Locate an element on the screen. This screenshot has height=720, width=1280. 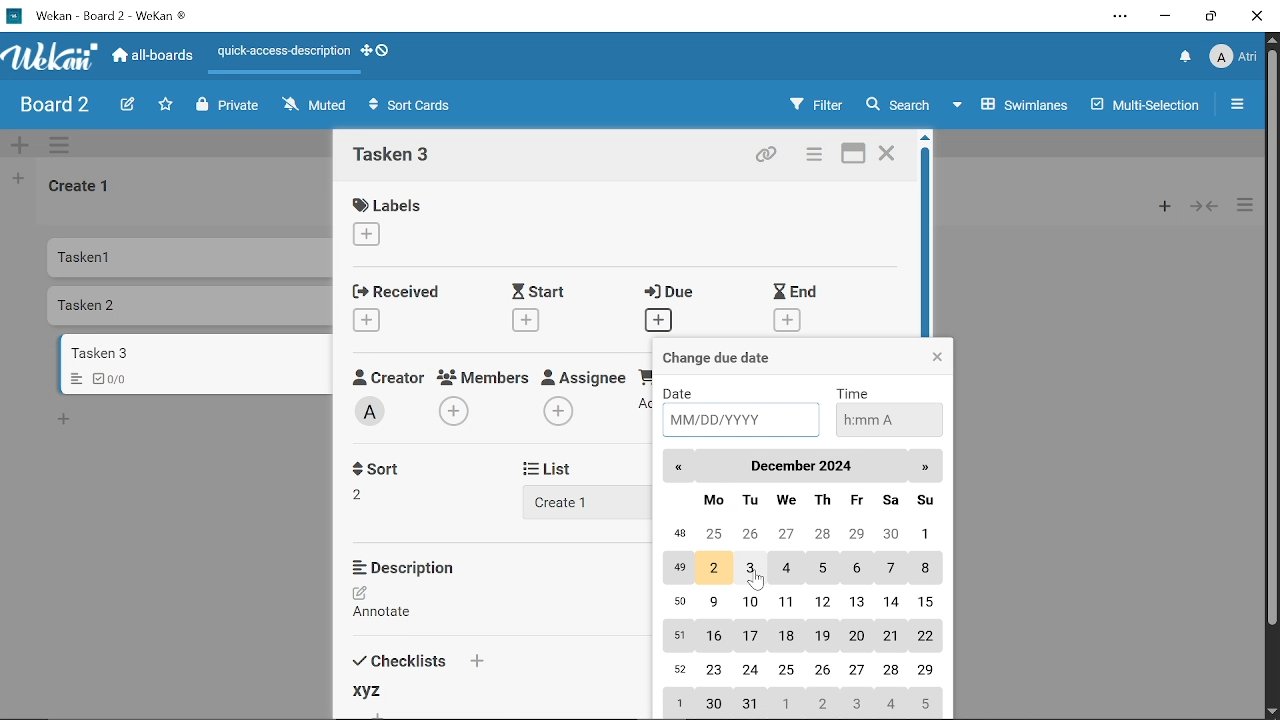
Star this board is located at coordinates (165, 105).